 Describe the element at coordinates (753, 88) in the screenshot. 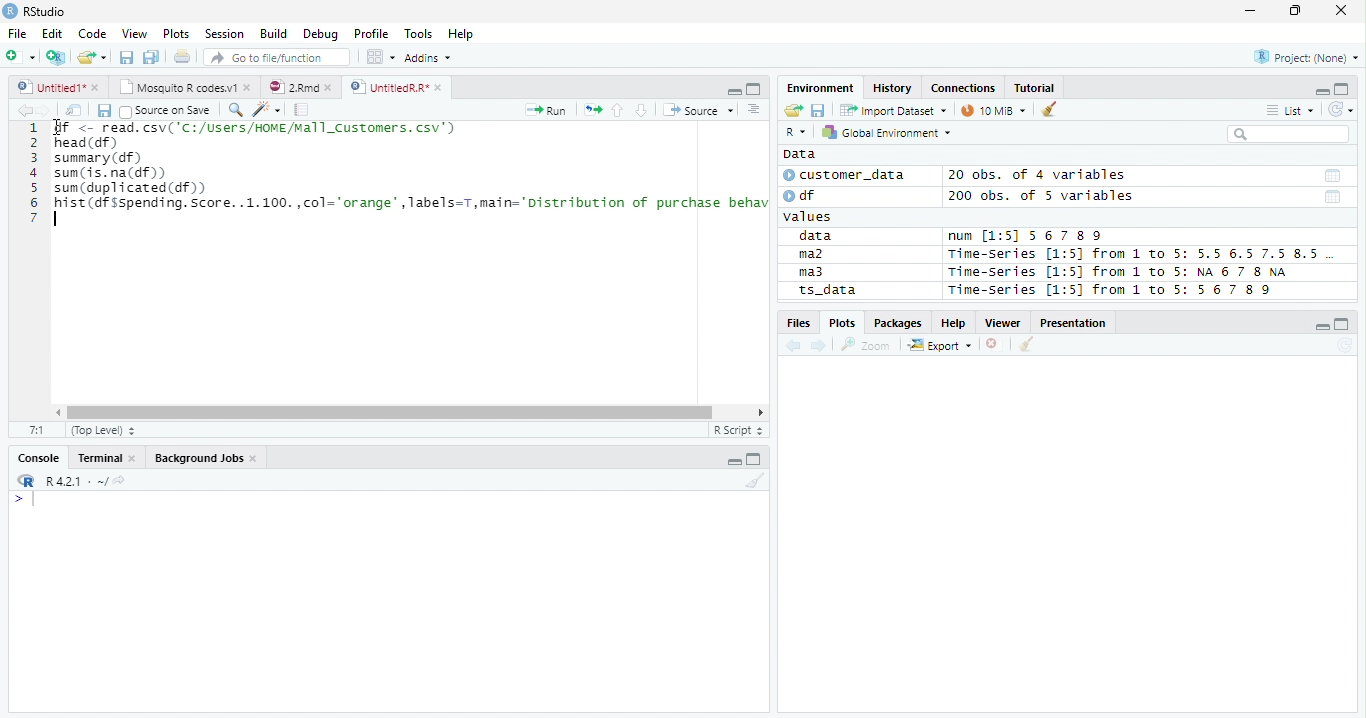

I see `Maximize` at that location.